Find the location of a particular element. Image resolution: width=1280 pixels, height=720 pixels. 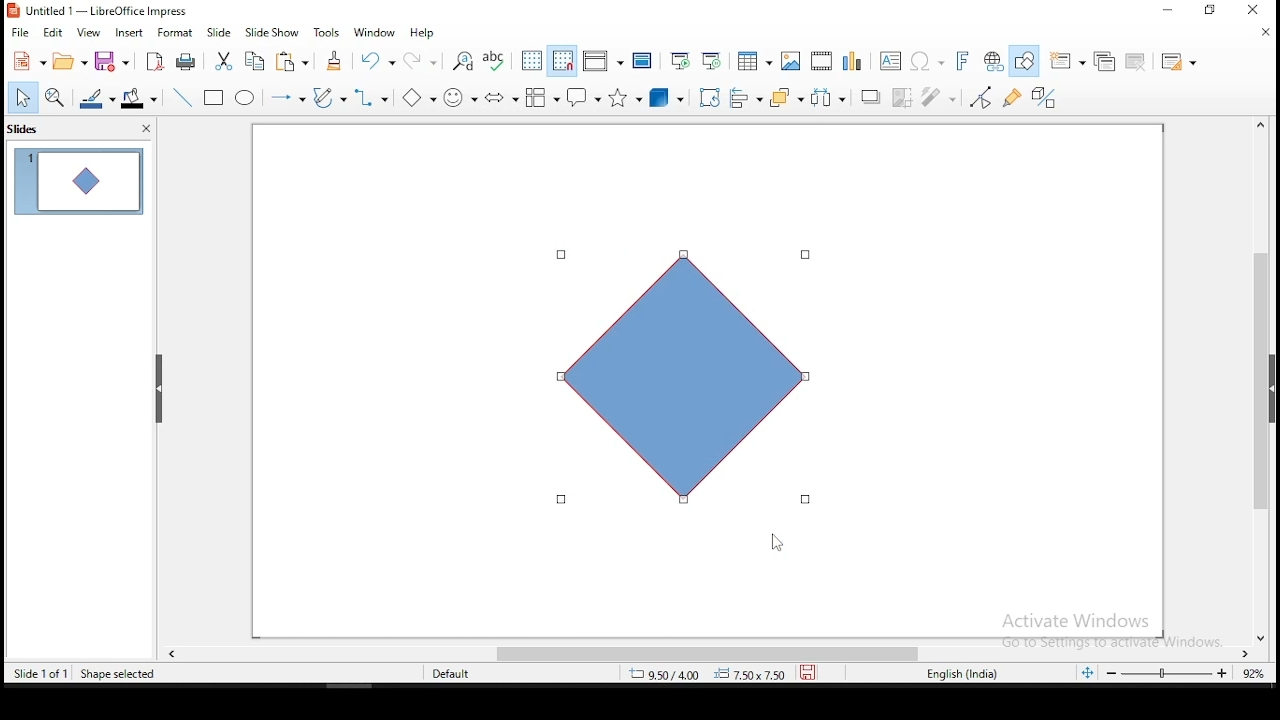

 is located at coordinates (963, 61).